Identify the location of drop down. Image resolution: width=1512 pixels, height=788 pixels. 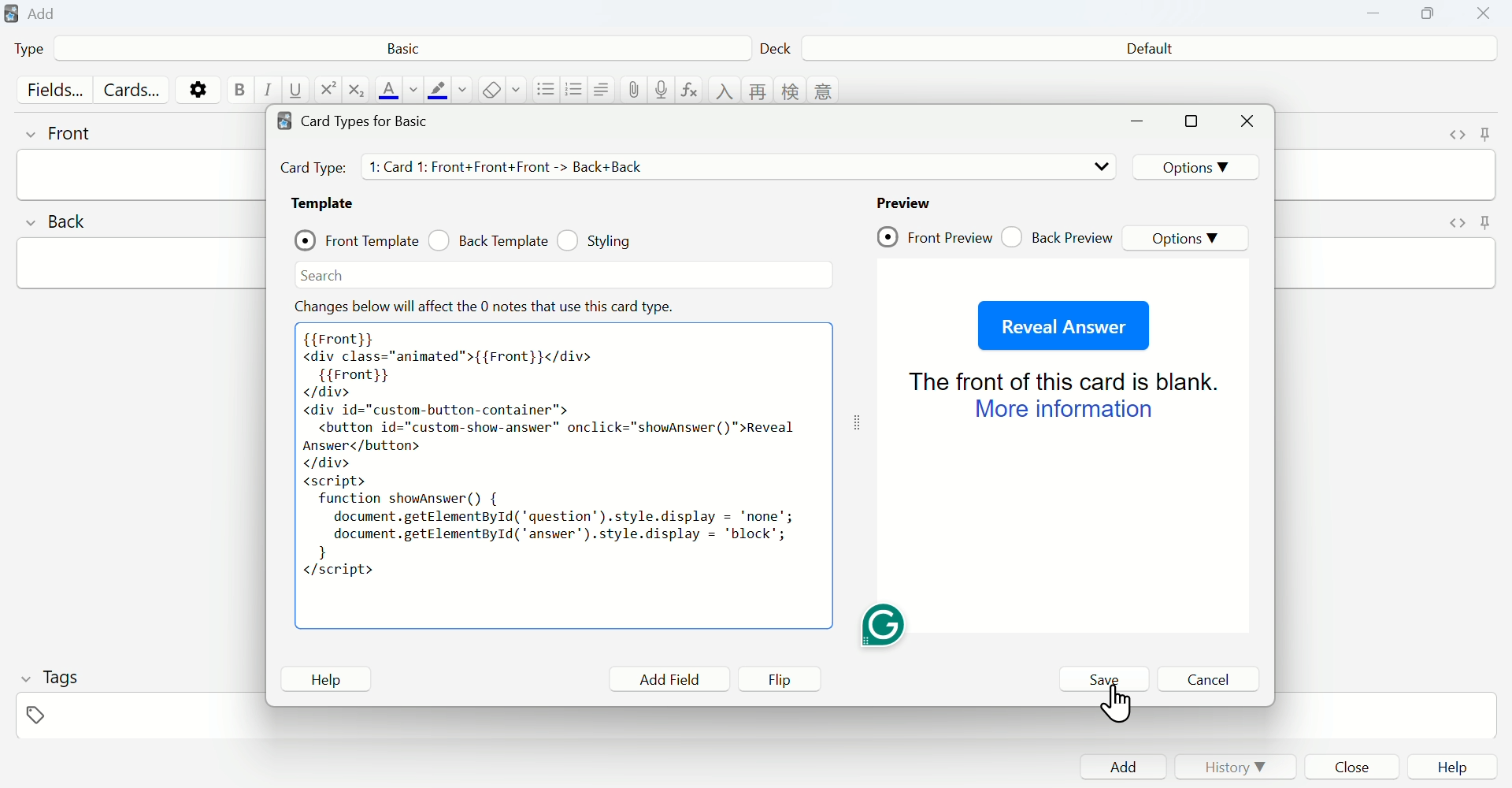
(1102, 168).